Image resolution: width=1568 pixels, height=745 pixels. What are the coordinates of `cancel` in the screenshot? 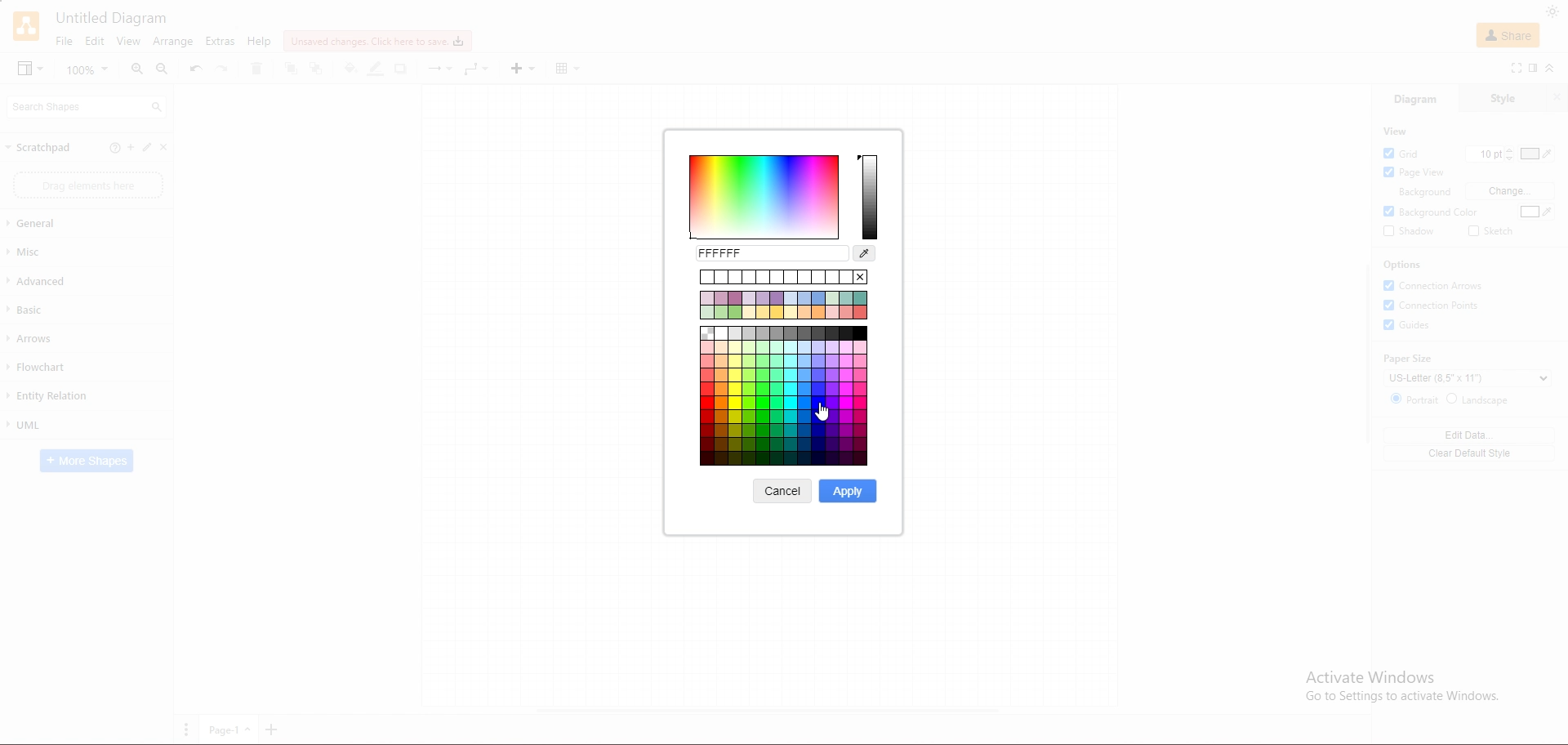 It's located at (782, 491).